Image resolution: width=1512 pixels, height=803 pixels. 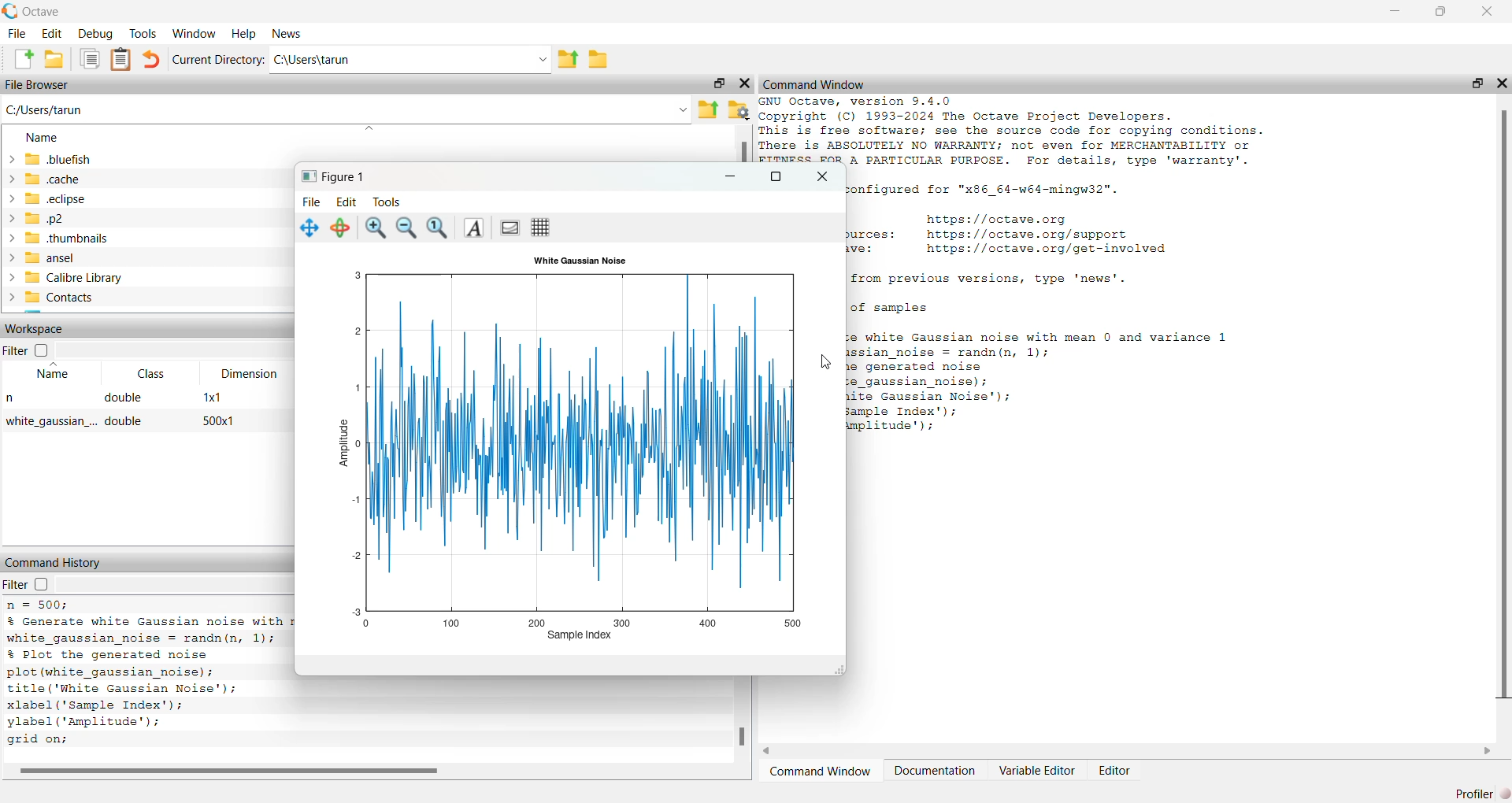 I want to click on checkbox, so click(x=45, y=585).